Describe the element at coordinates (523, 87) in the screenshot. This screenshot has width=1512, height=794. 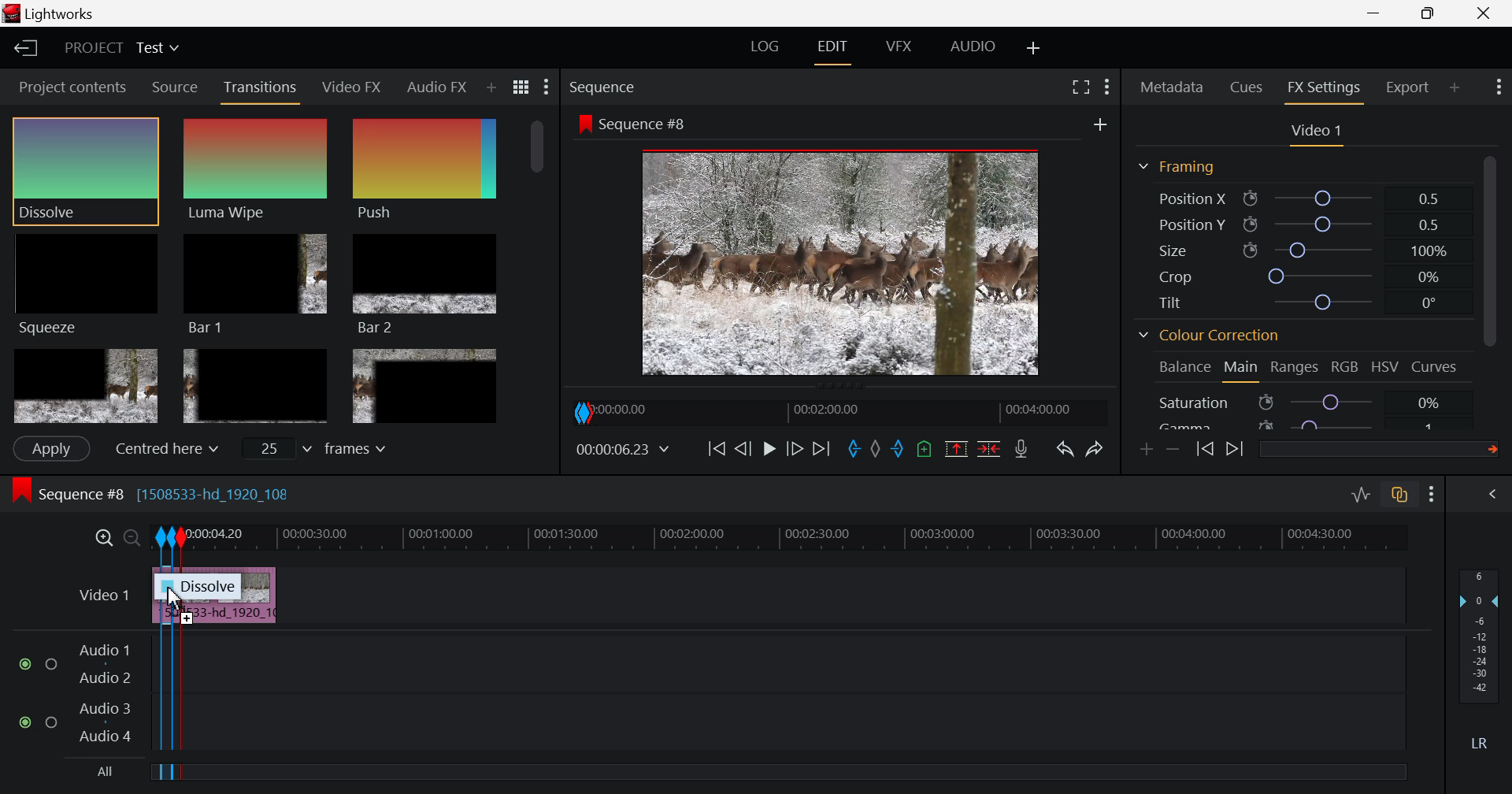
I see `Toggle between list and title view` at that location.